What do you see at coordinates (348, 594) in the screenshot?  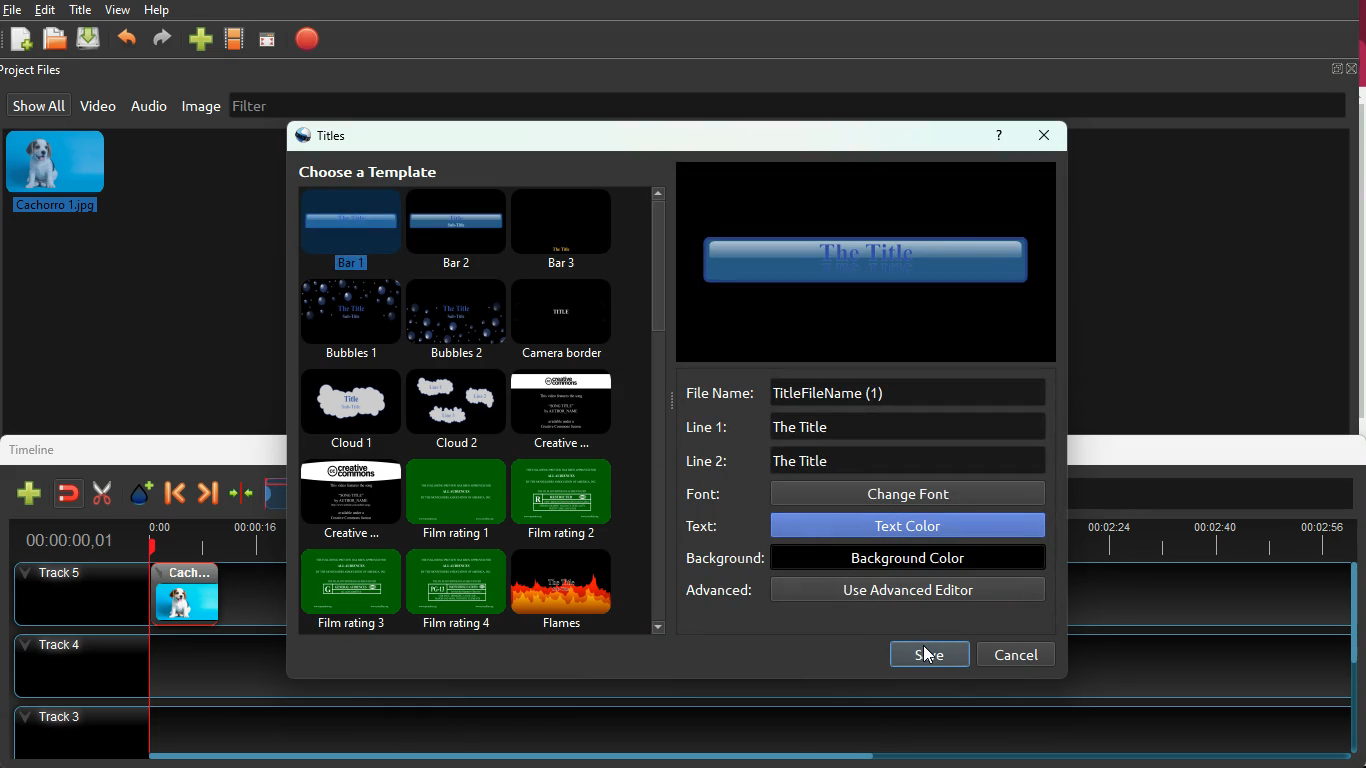 I see `film rating 3` at bounding box center [348, 594].